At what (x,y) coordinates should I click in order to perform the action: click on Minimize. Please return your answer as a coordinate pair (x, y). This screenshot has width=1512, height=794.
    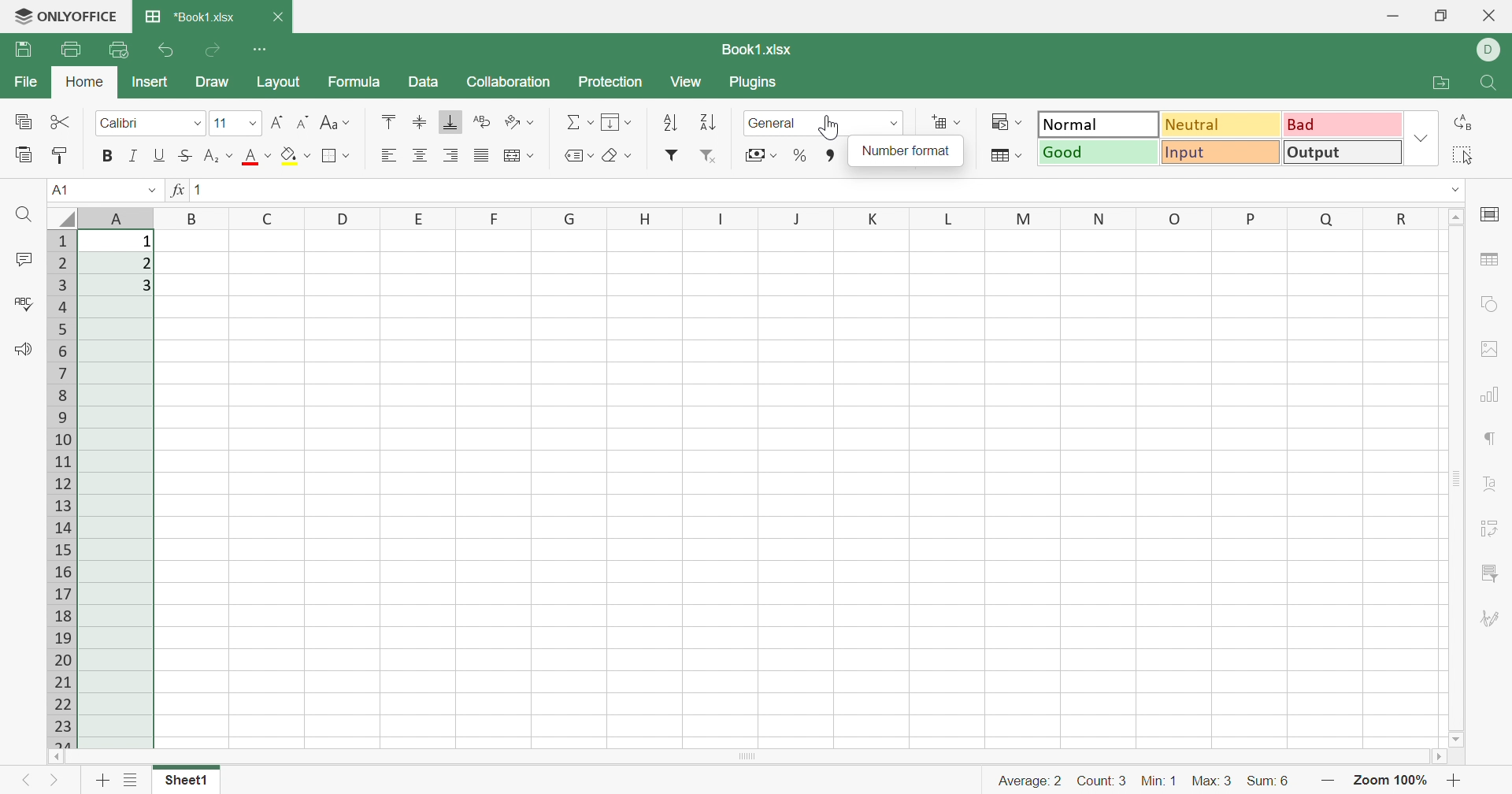
    Looking at the image, I should click on (1392, 18).